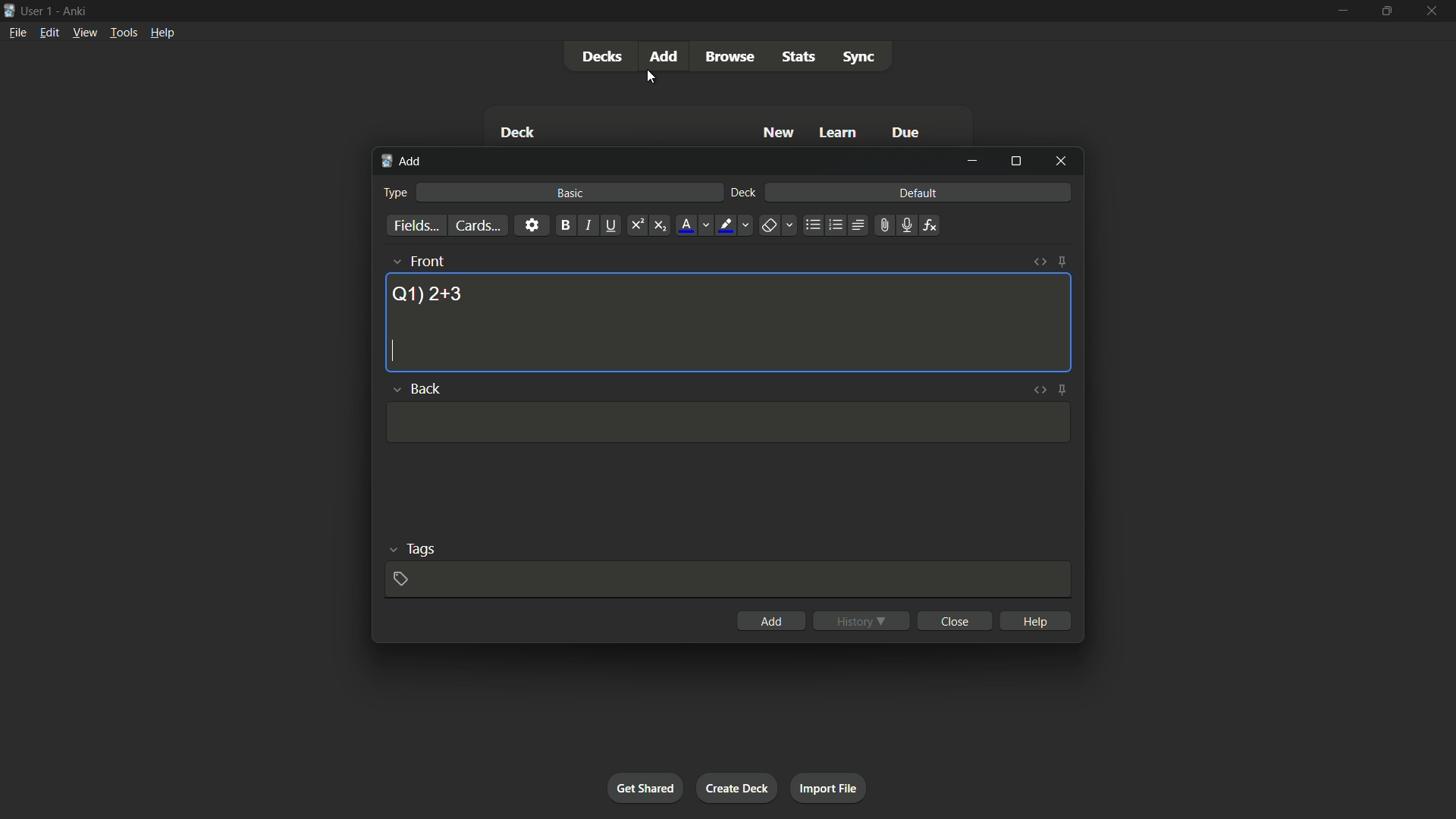  I want to click on settings, so click(532, 224).